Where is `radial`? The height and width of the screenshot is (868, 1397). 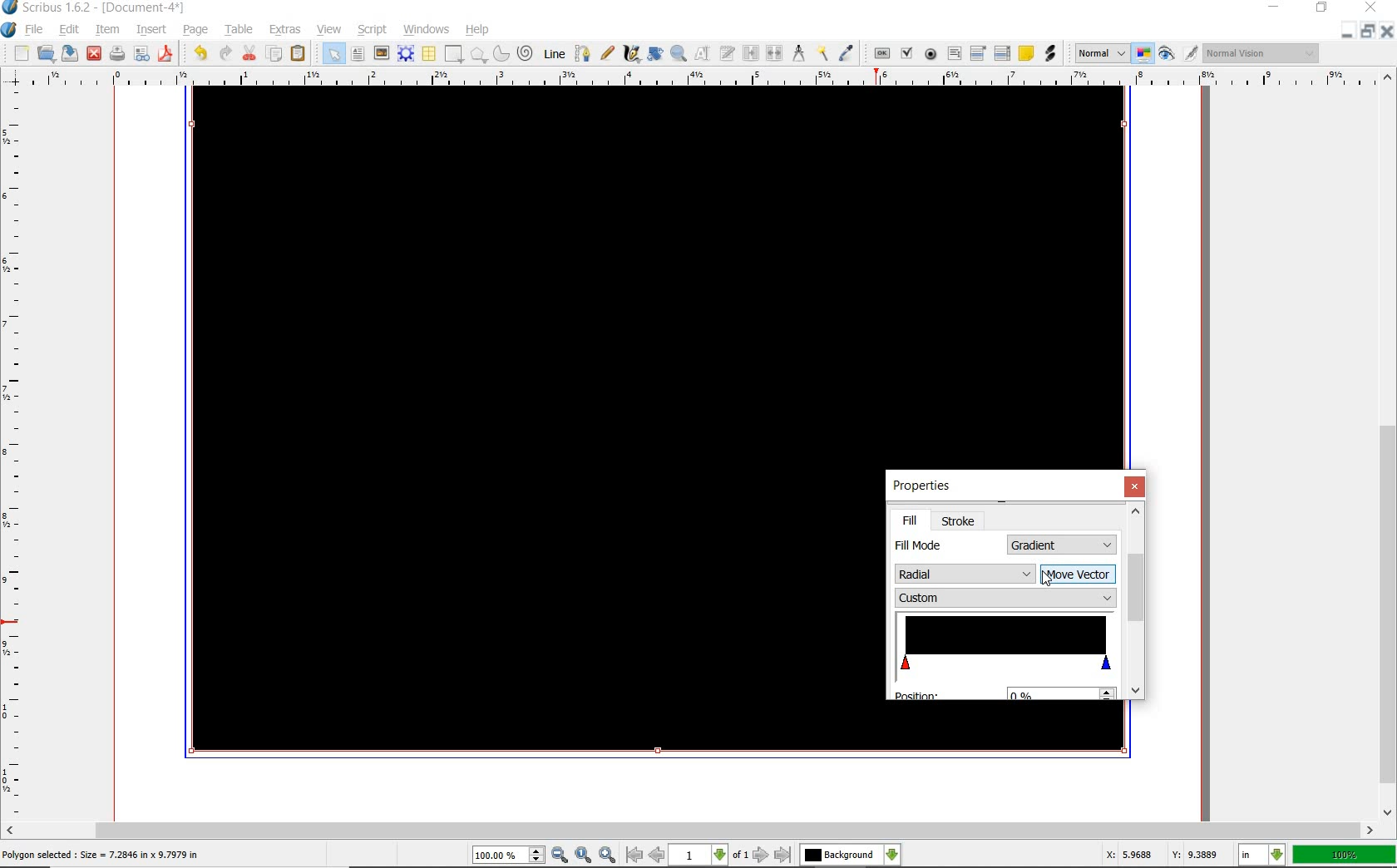 radial is located at coordinates (965, 575).